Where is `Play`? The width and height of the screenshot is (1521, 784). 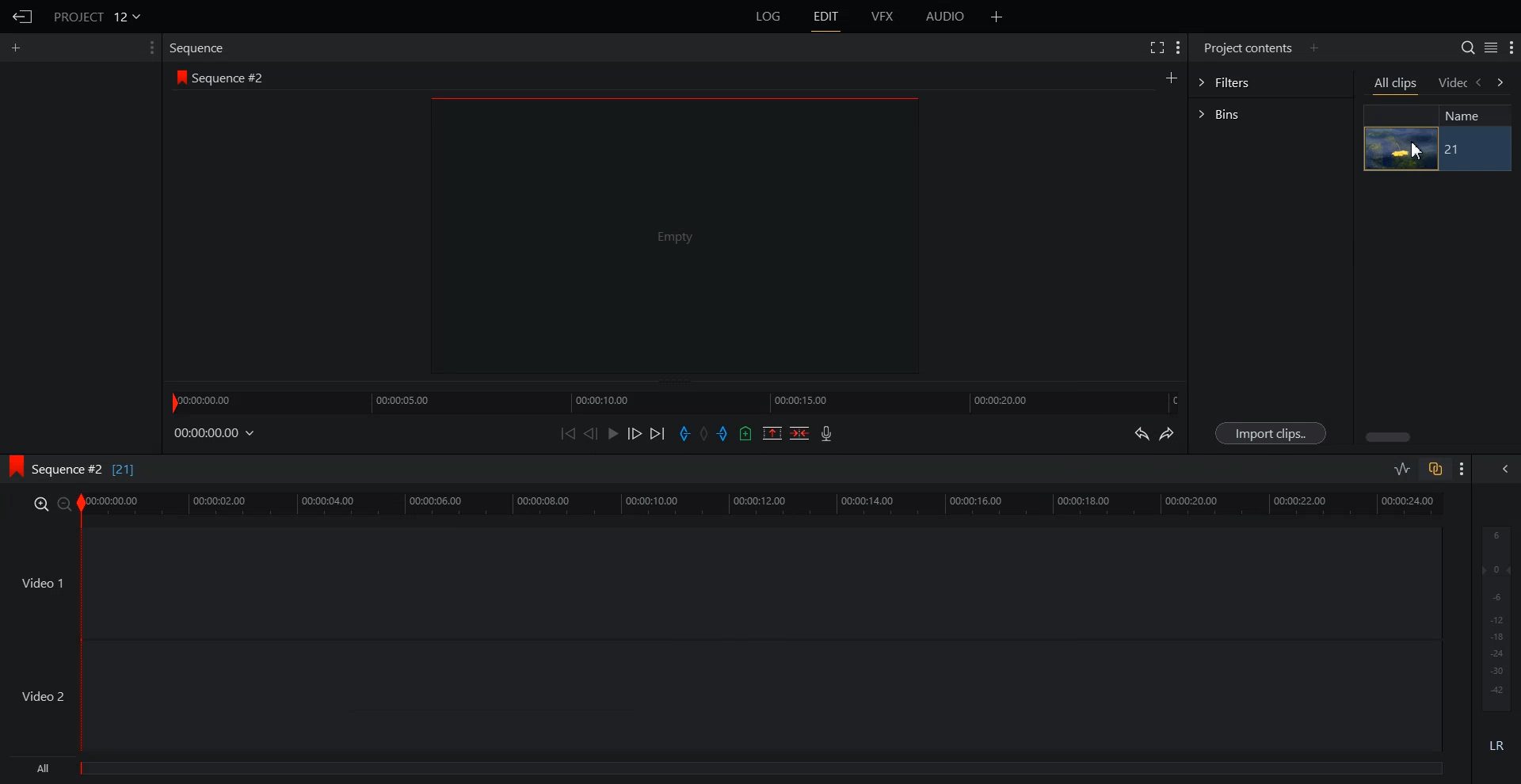 Play is located at coordinates (613, 432).